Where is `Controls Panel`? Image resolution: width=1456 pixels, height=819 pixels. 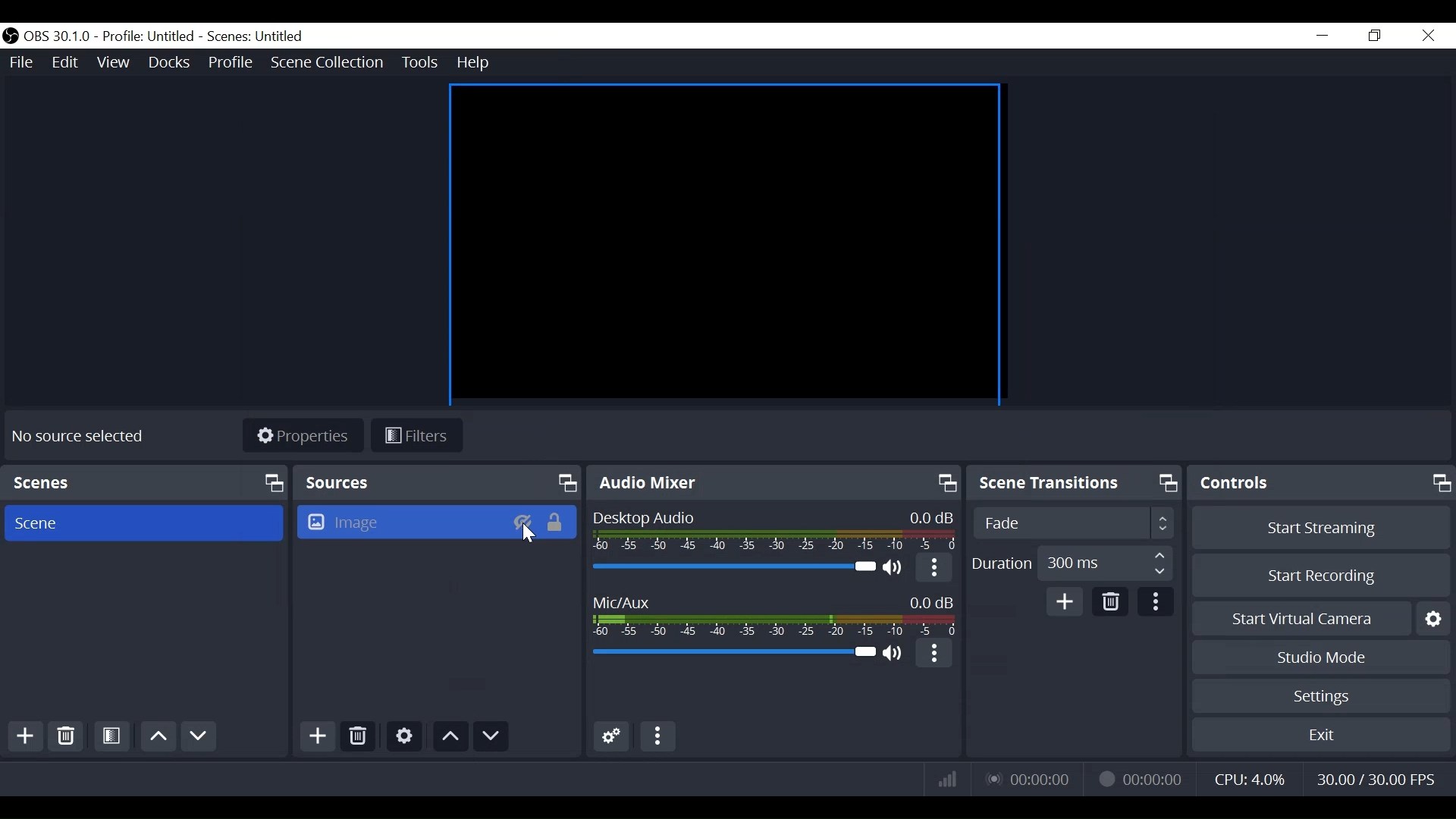
Controls Panel is located at coordinates (1323, 484).